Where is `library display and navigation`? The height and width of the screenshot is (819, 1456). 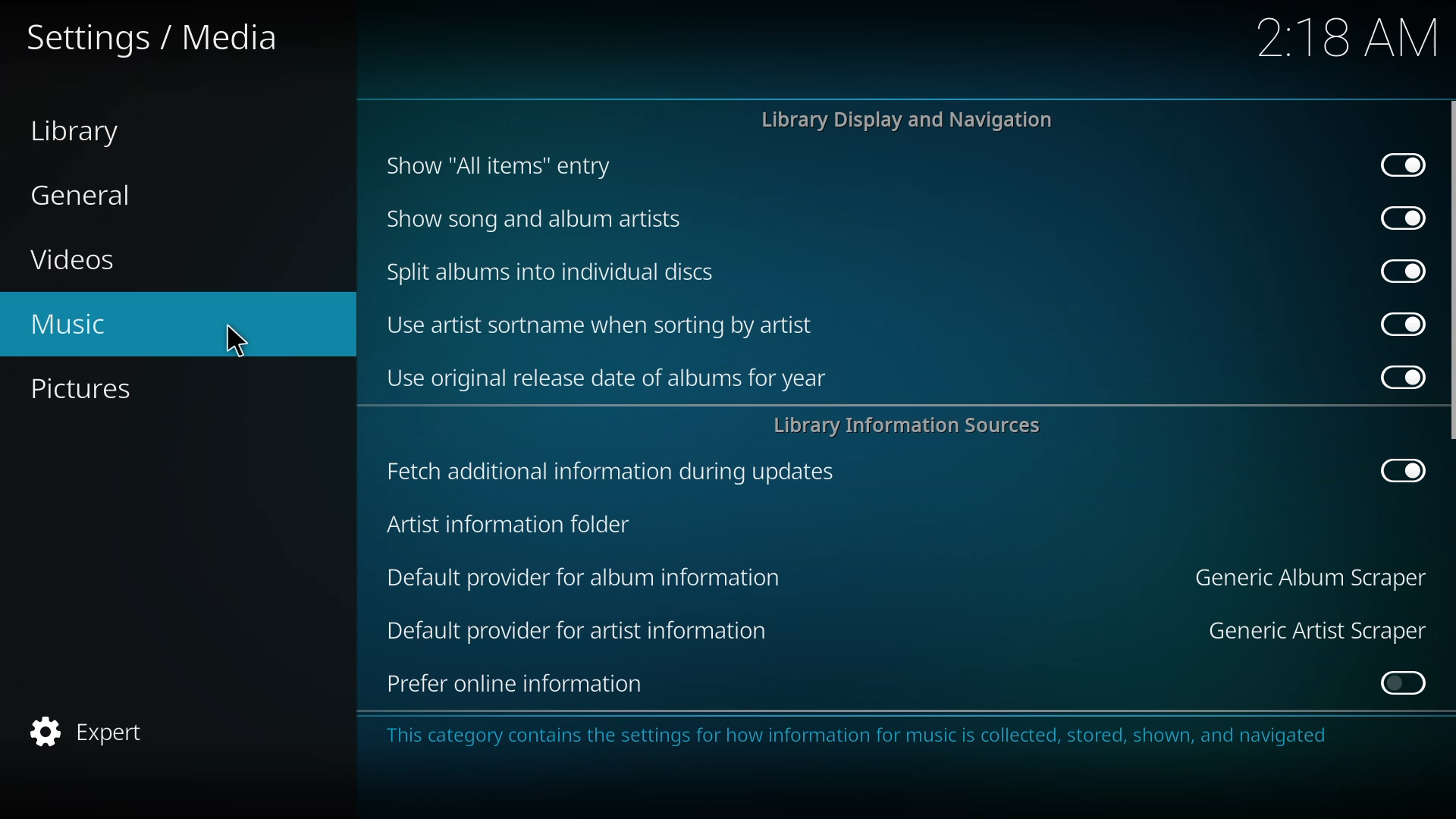
library display and navigation is located at coordinates (906, 120).